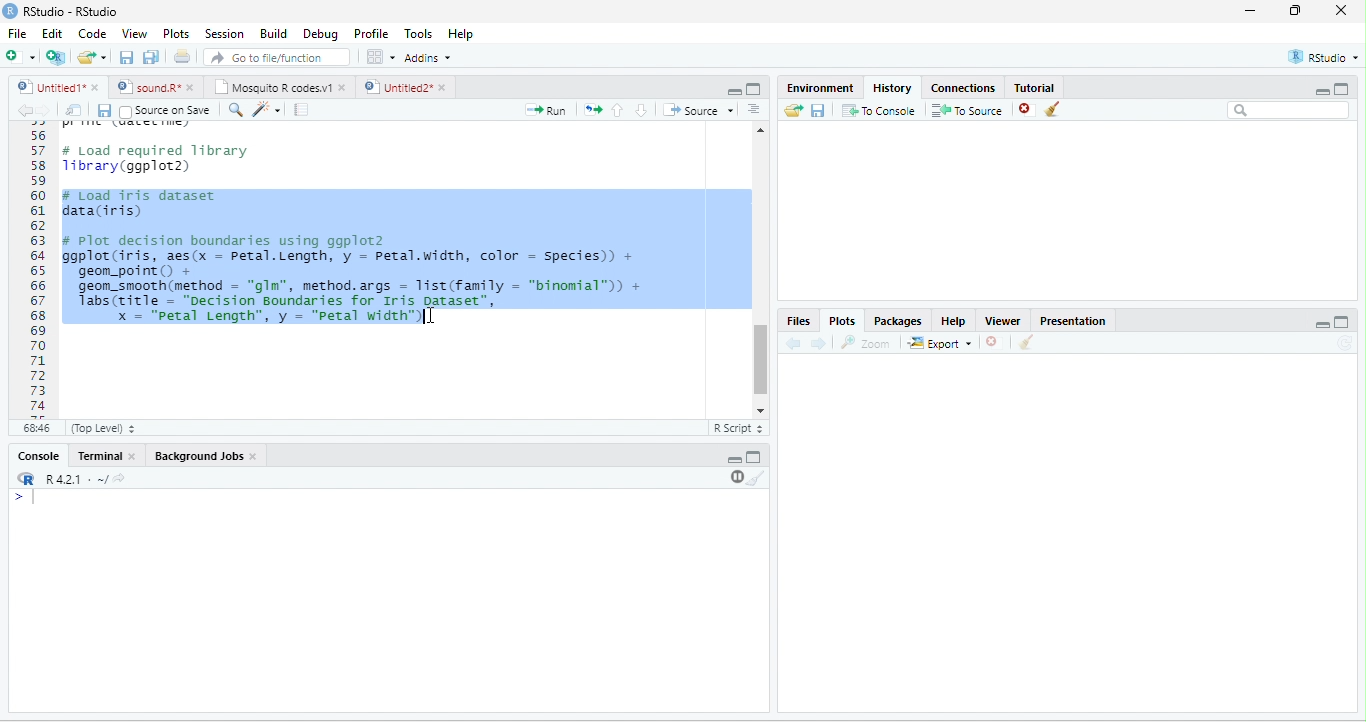  What do you see at coordinates (892, 88) in the screenshot?
I see `History` at bounding box center [892, 88].